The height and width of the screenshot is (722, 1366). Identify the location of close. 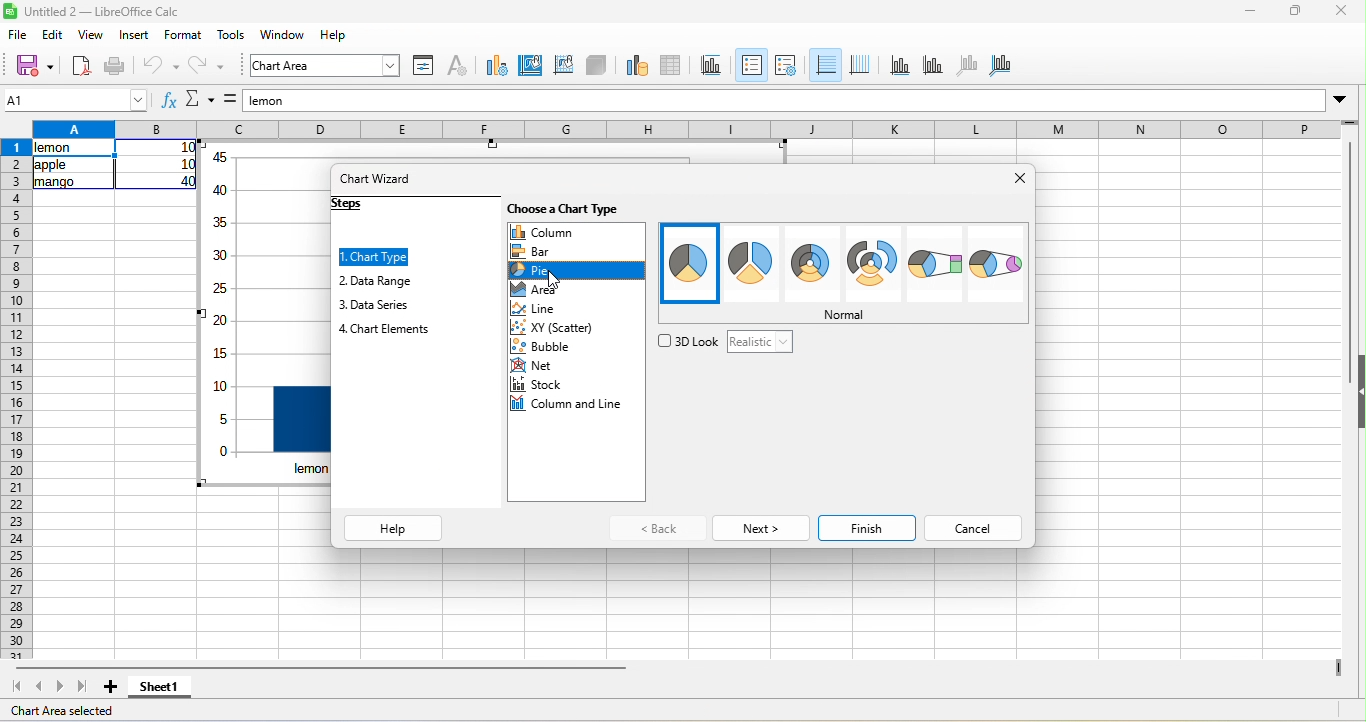
(1337, 13).